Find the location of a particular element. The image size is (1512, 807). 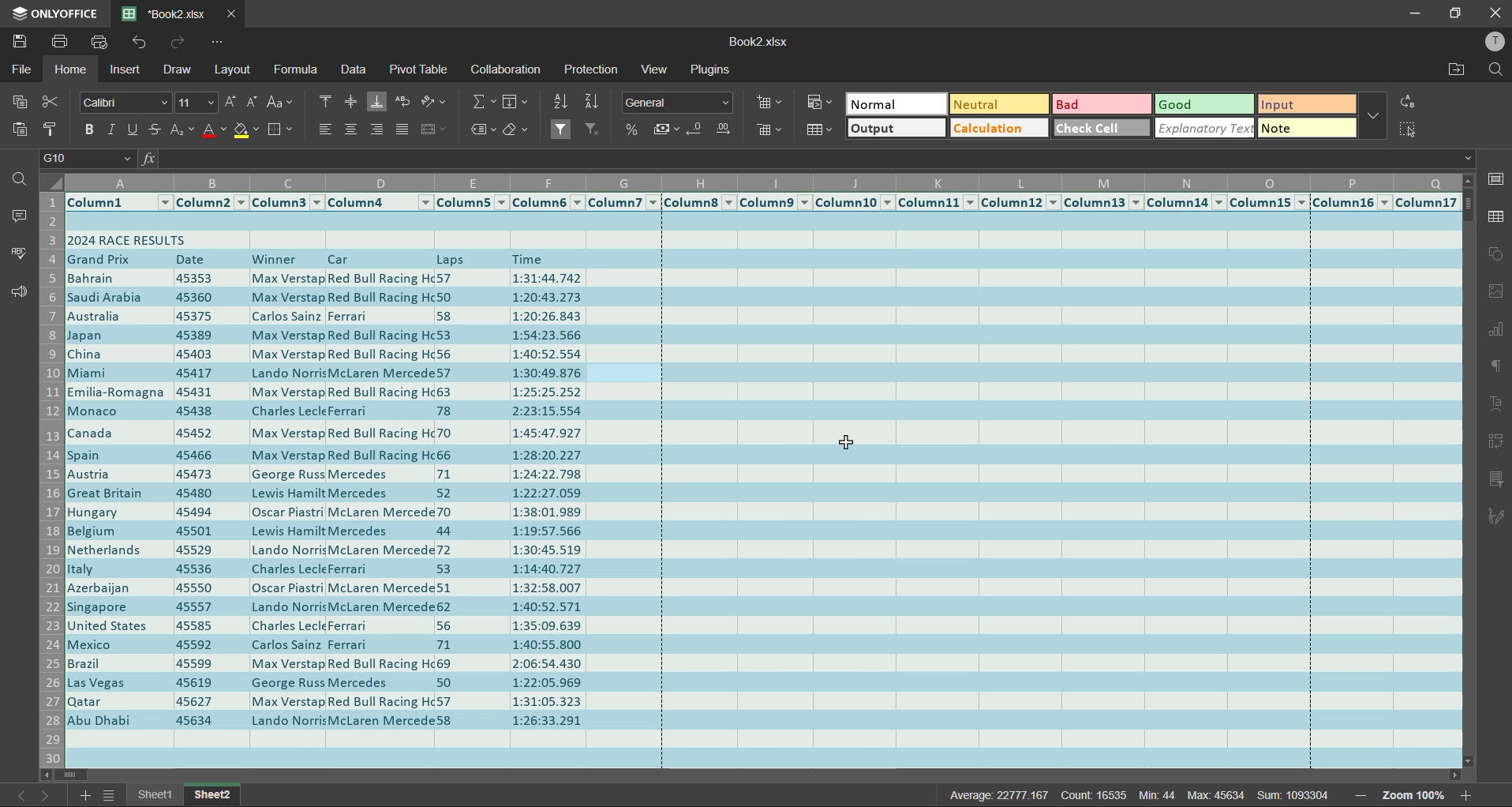

charts  is located at coordinates (1496, 330).